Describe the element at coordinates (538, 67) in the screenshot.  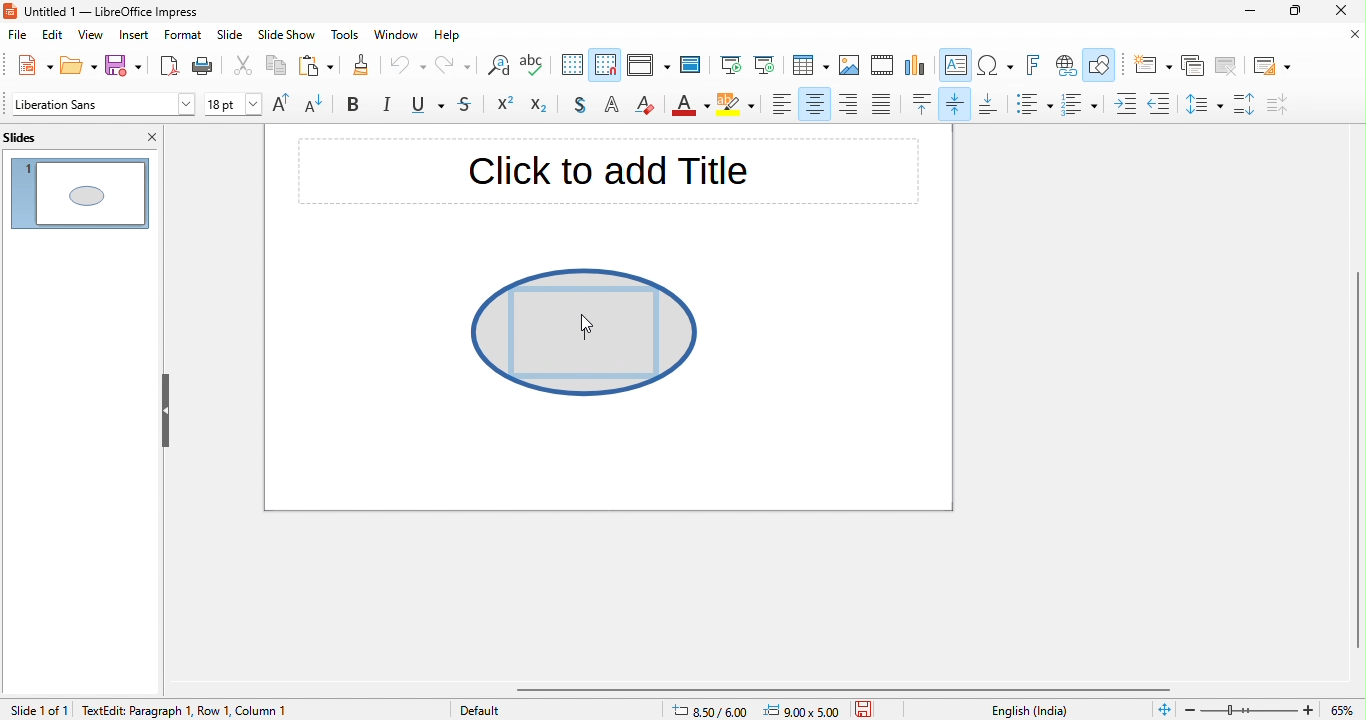
I see `spelling` at that location.